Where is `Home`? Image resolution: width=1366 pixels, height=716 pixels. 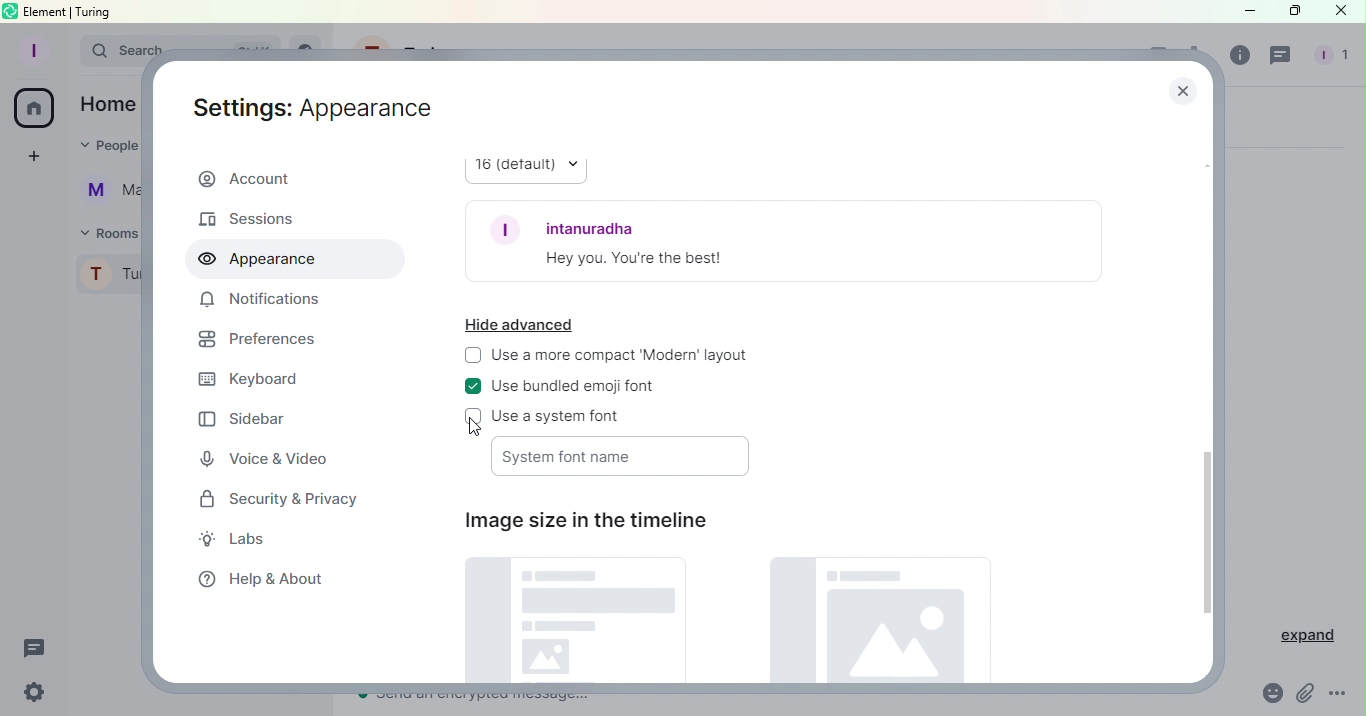
Home is located at coordinates (108, 107).